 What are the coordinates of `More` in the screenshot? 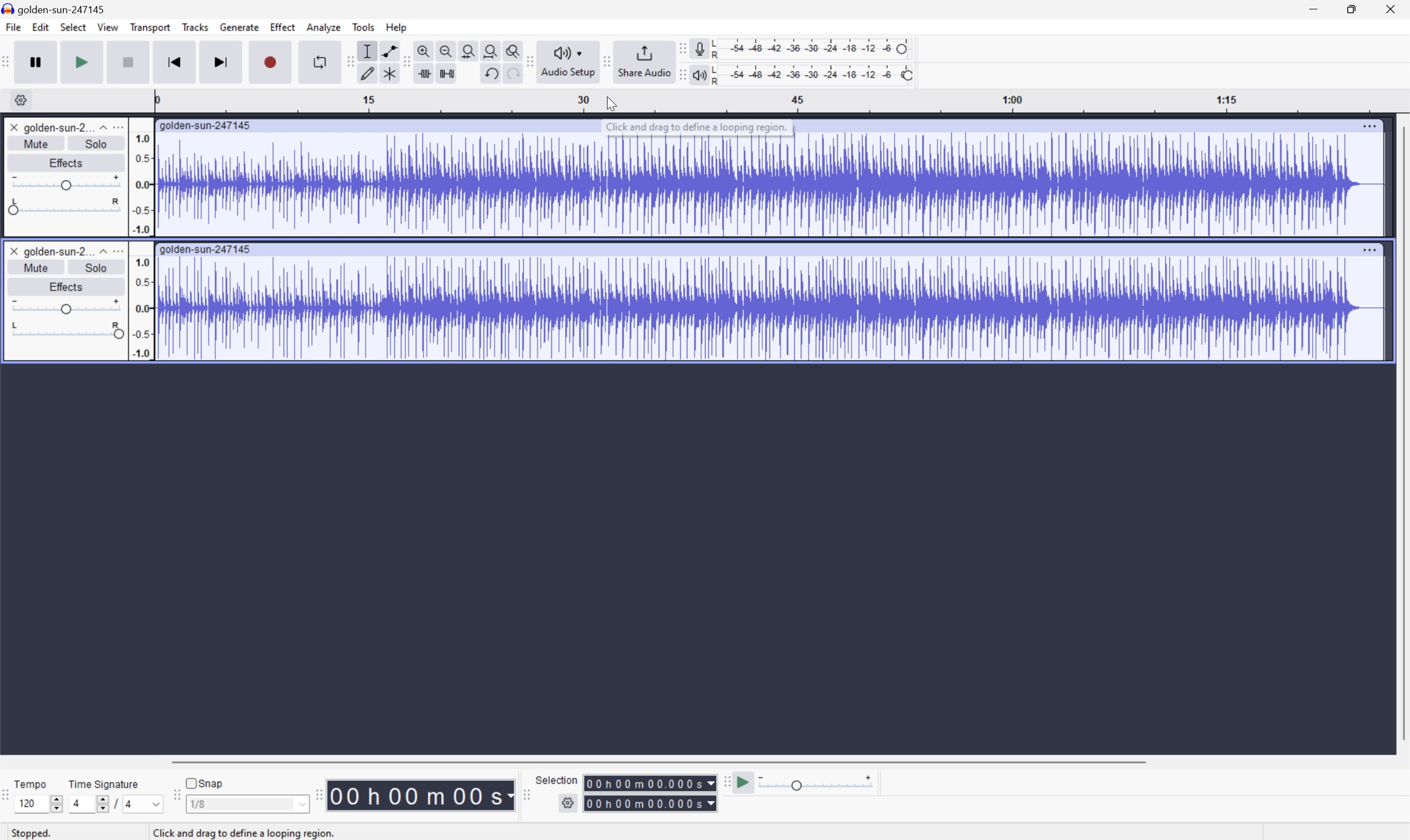 It's located at (119, 253).